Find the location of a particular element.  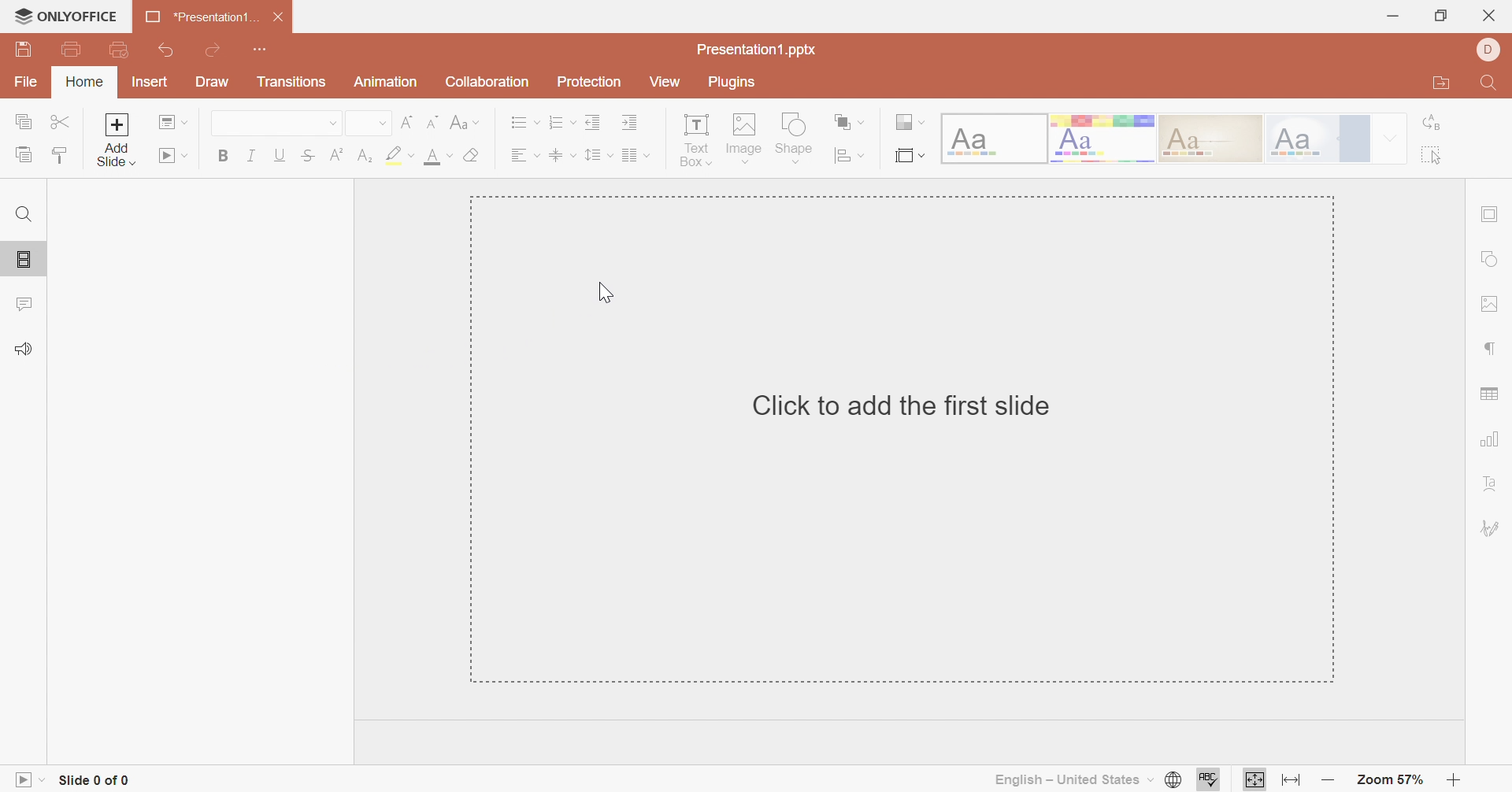

Open file location is located at coordinates (1436, 85).